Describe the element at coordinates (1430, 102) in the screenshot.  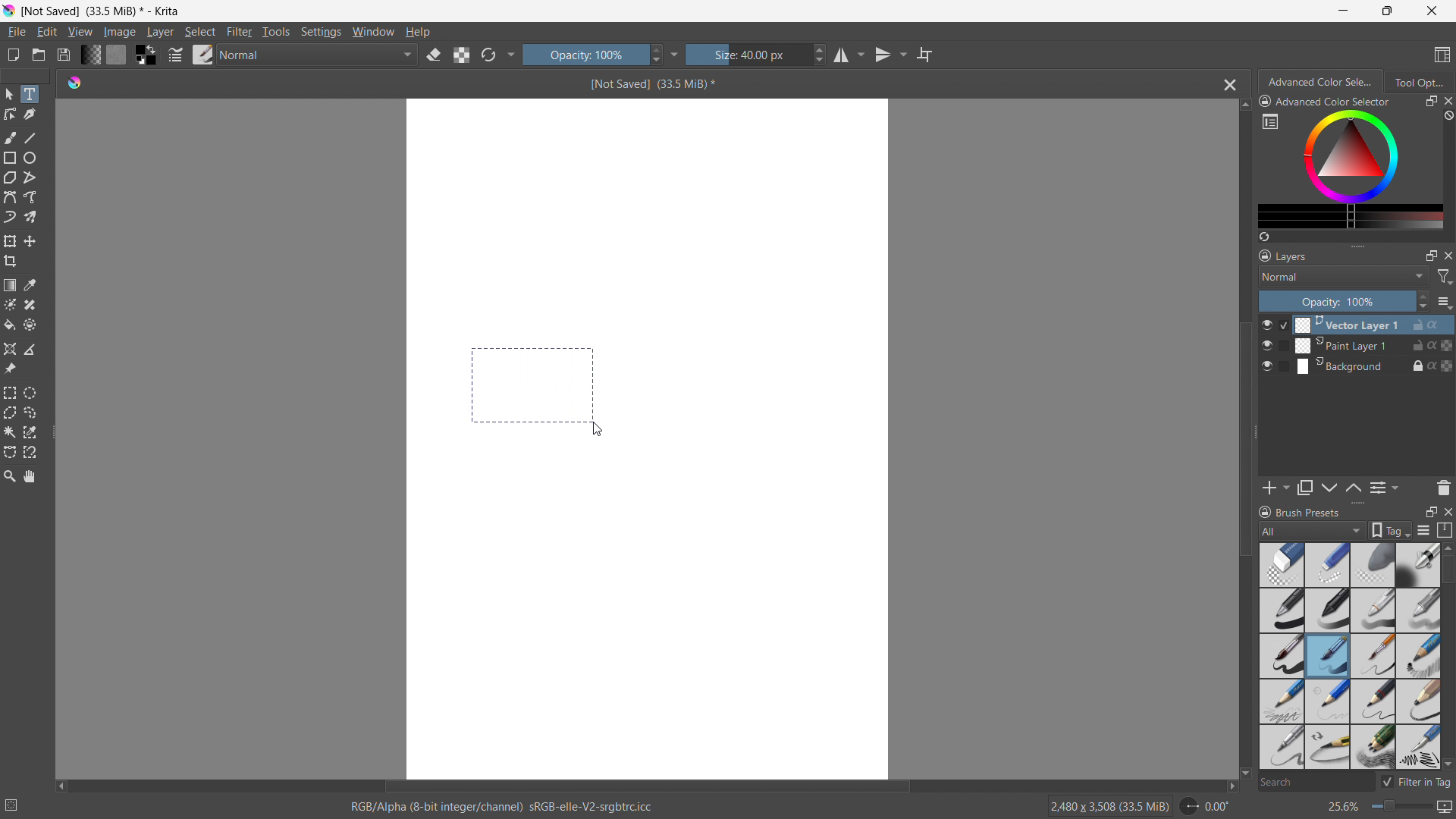
I see `maximize` at that location.